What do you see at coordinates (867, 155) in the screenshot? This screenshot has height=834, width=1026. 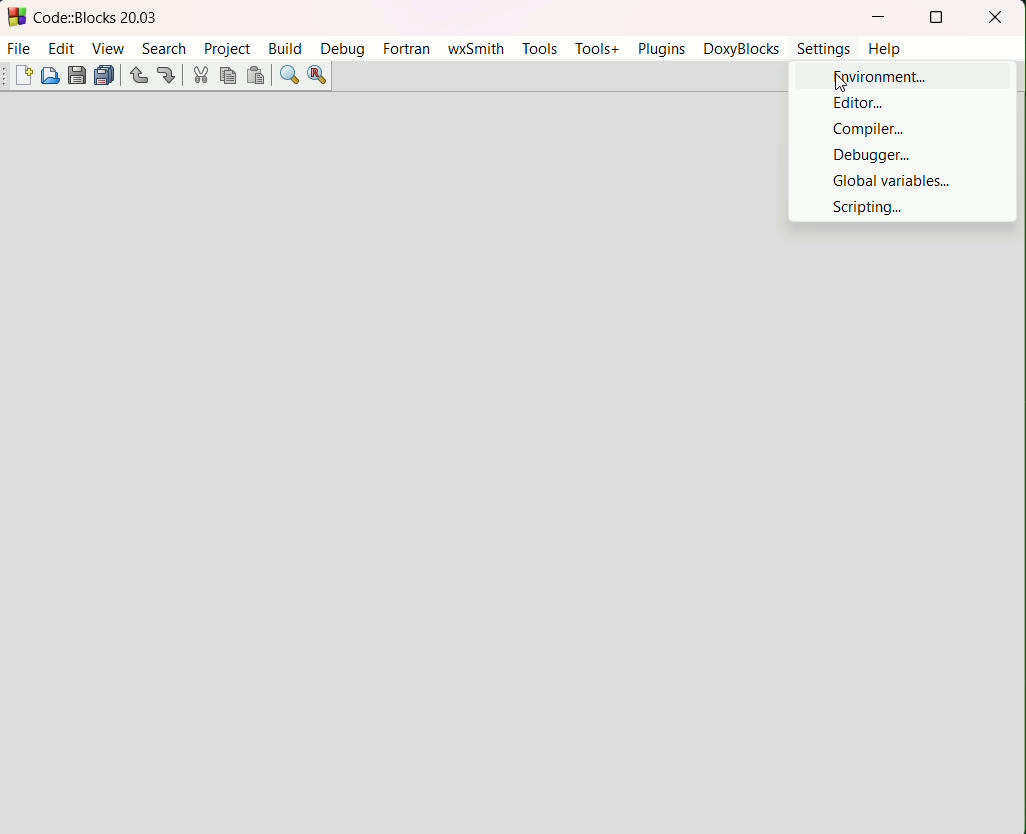 I see `Debugger` at bounding box center [867, 155].